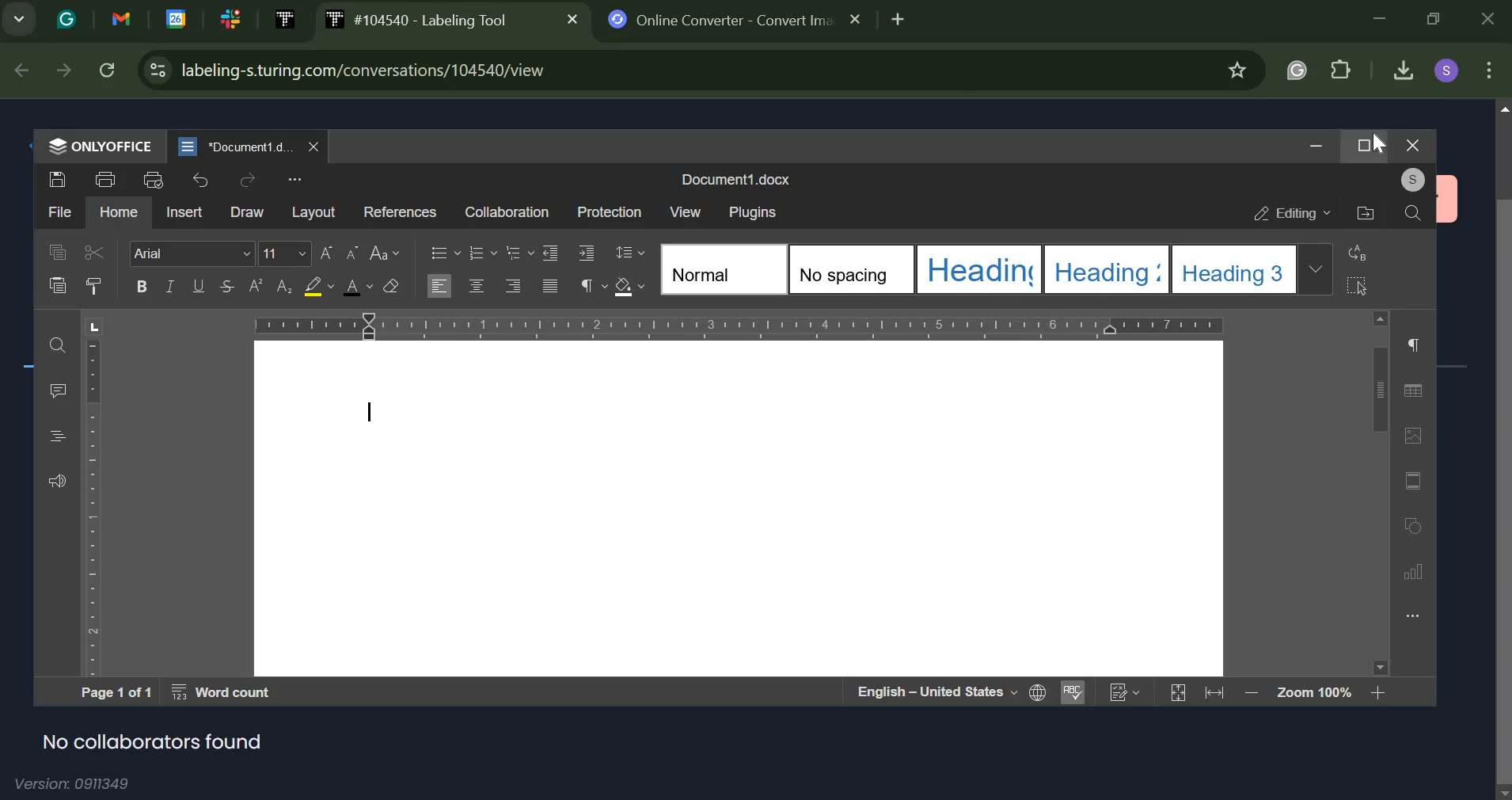 This screenshot has height=800, width=1512. I want to click on paste, so click(97, 284).